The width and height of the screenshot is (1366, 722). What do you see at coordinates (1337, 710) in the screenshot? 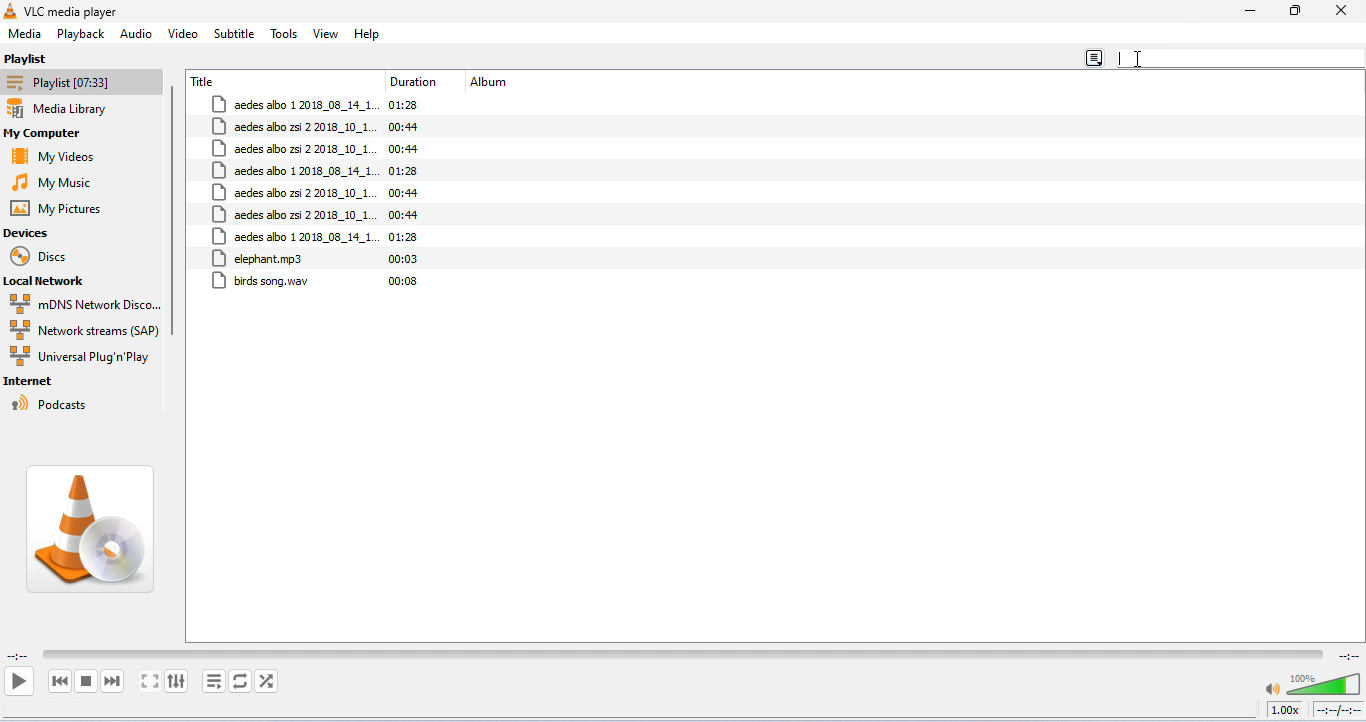
I see `click to toggle between elapsed time / remaining time` at bounding box center [1337, 710].